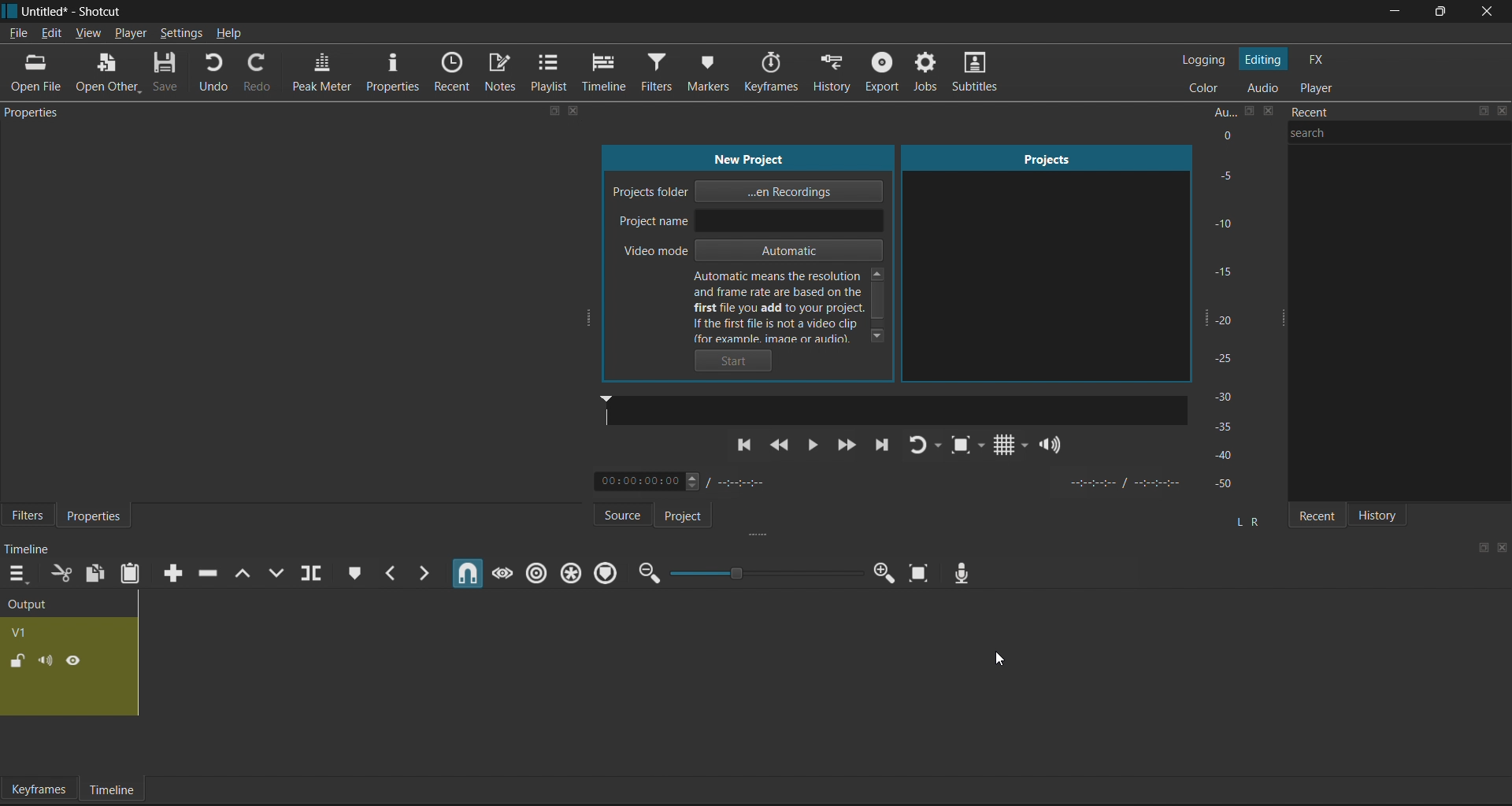 This screenshot has height=806, width=1512. What do you see at coordinates (1320, 87) in the screenshot?
I see `Player` at bounding box center [1320, 87].